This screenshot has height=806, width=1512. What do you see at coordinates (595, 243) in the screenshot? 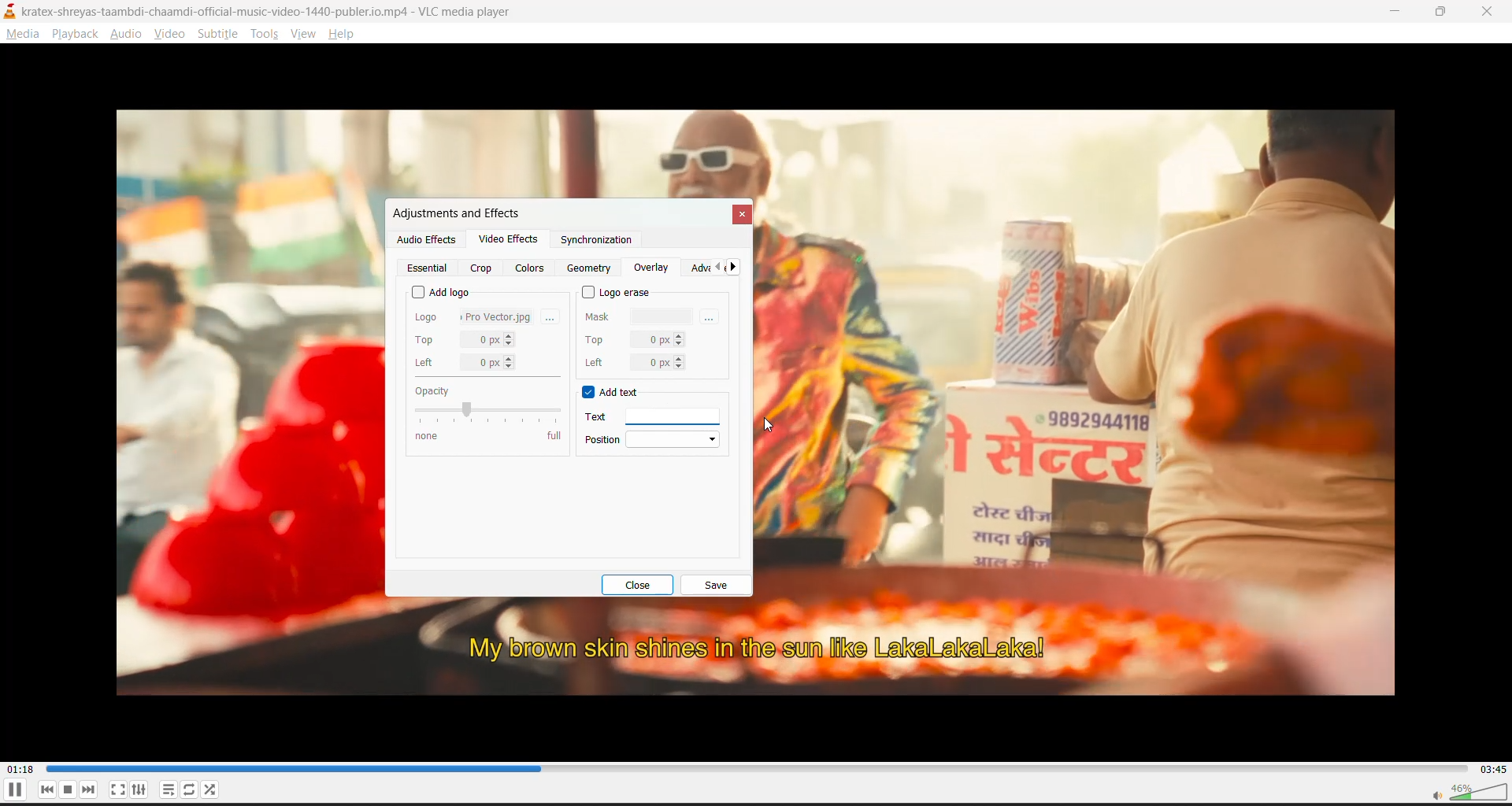
I see `synchronization` at bounding box center [595, 243].